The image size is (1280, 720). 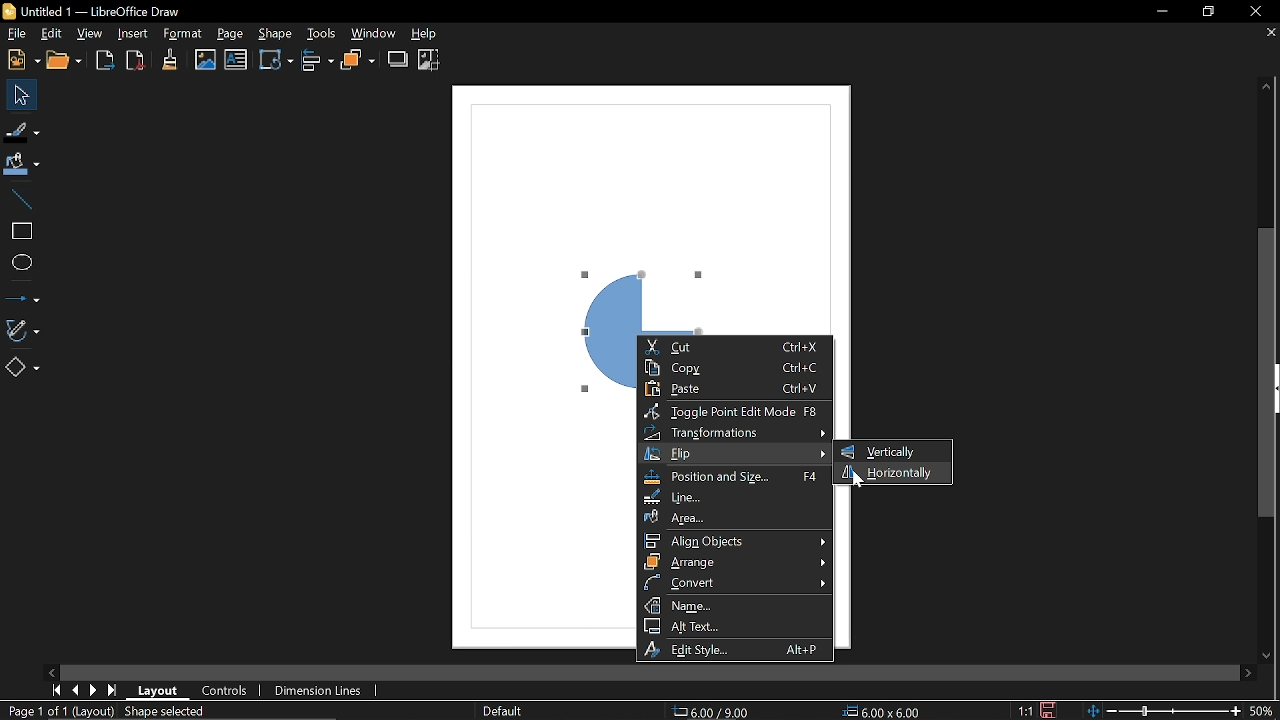 I want to click on Shape selected, so click(x=166, y=712).